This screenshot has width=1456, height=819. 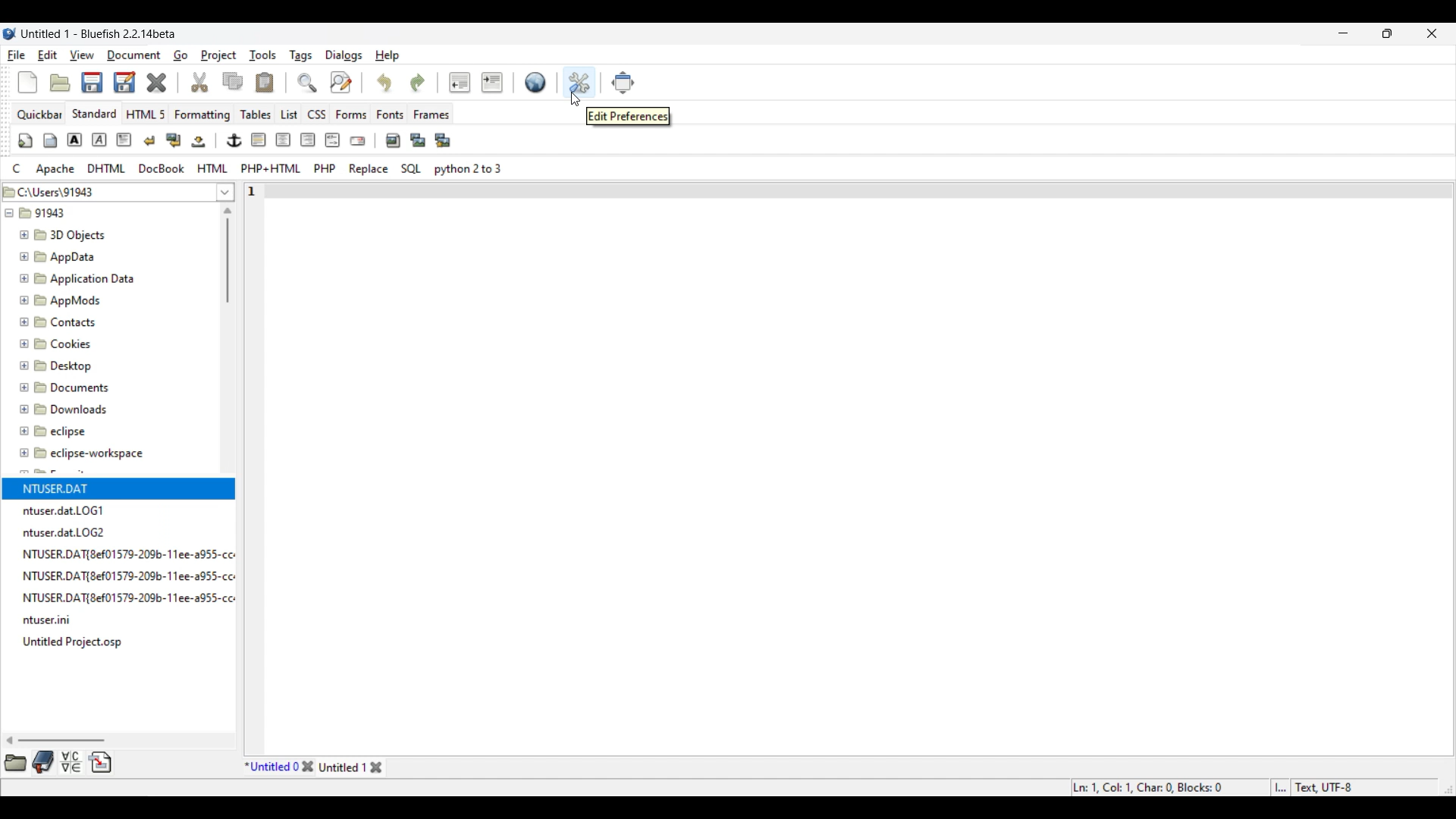 What do you see at coordinates (65, 510) in the screenshot?
I see `ntuser.dat.LOG1` at bounding box center [65, 510].